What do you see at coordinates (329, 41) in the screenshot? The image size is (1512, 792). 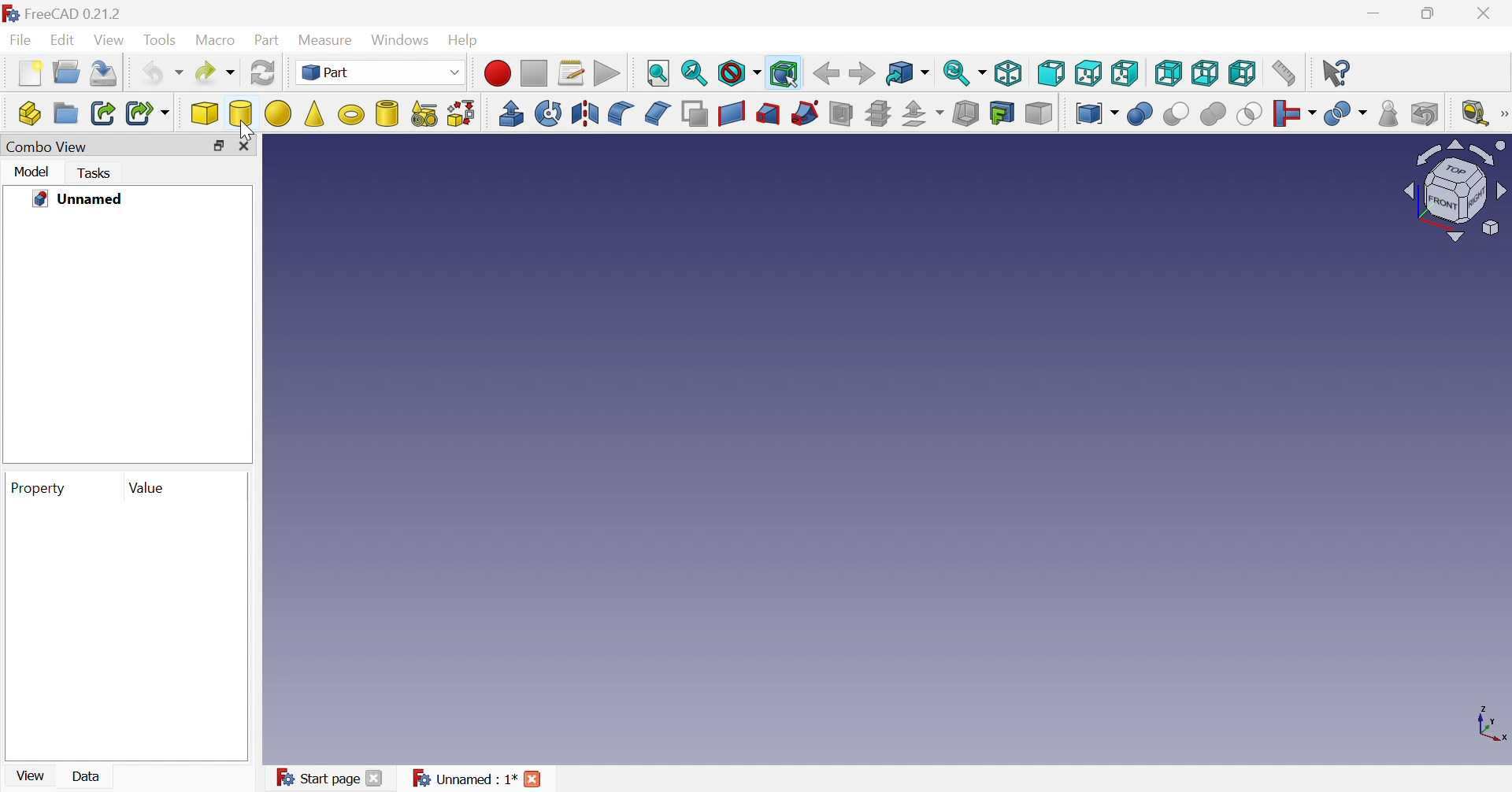 I see `Measure` at bounding box center [329, 41].